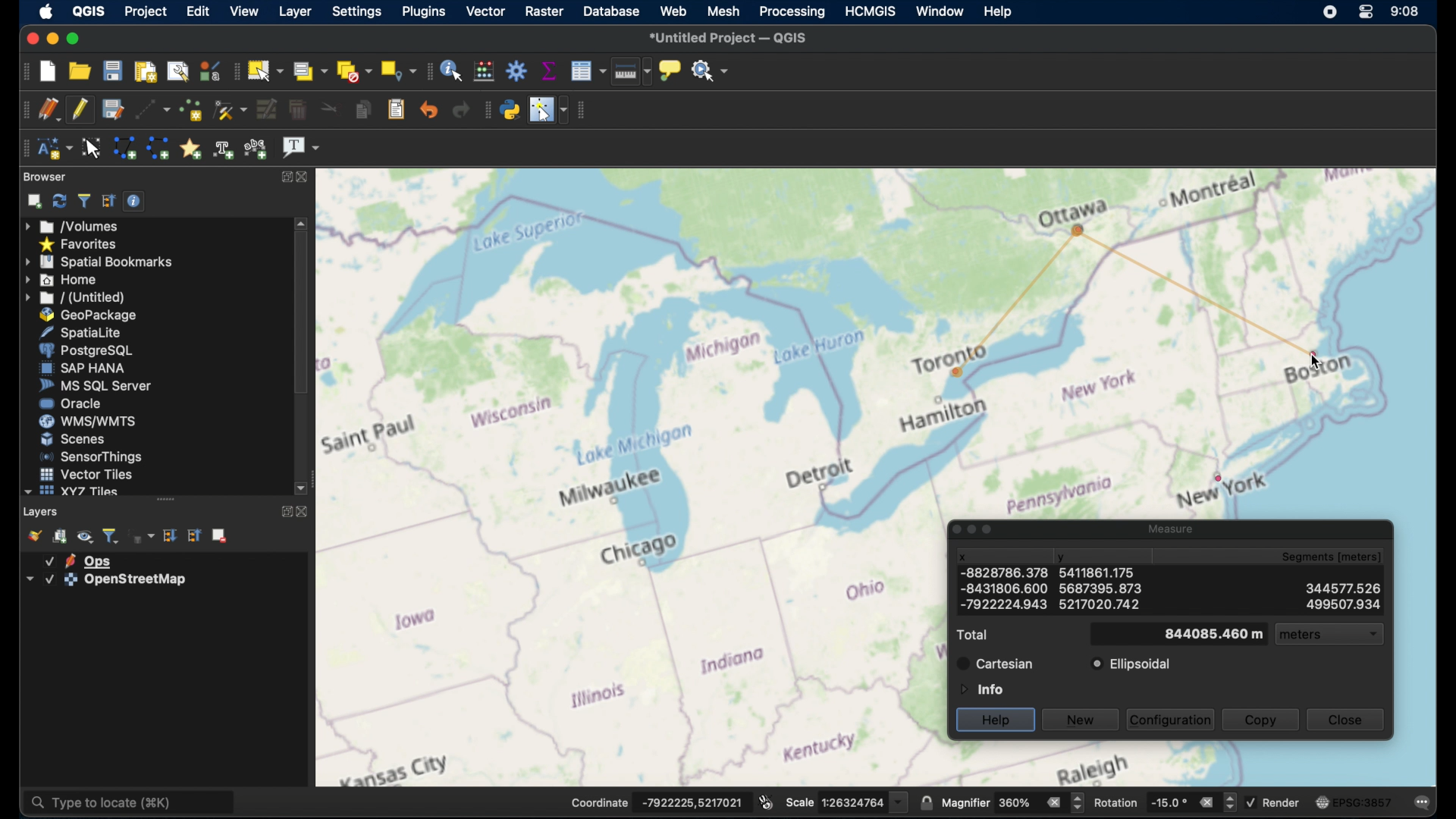 Image resolution: width=1456 pixels, height=819 pixels. I want to click on type to locate, so click(133, 801).